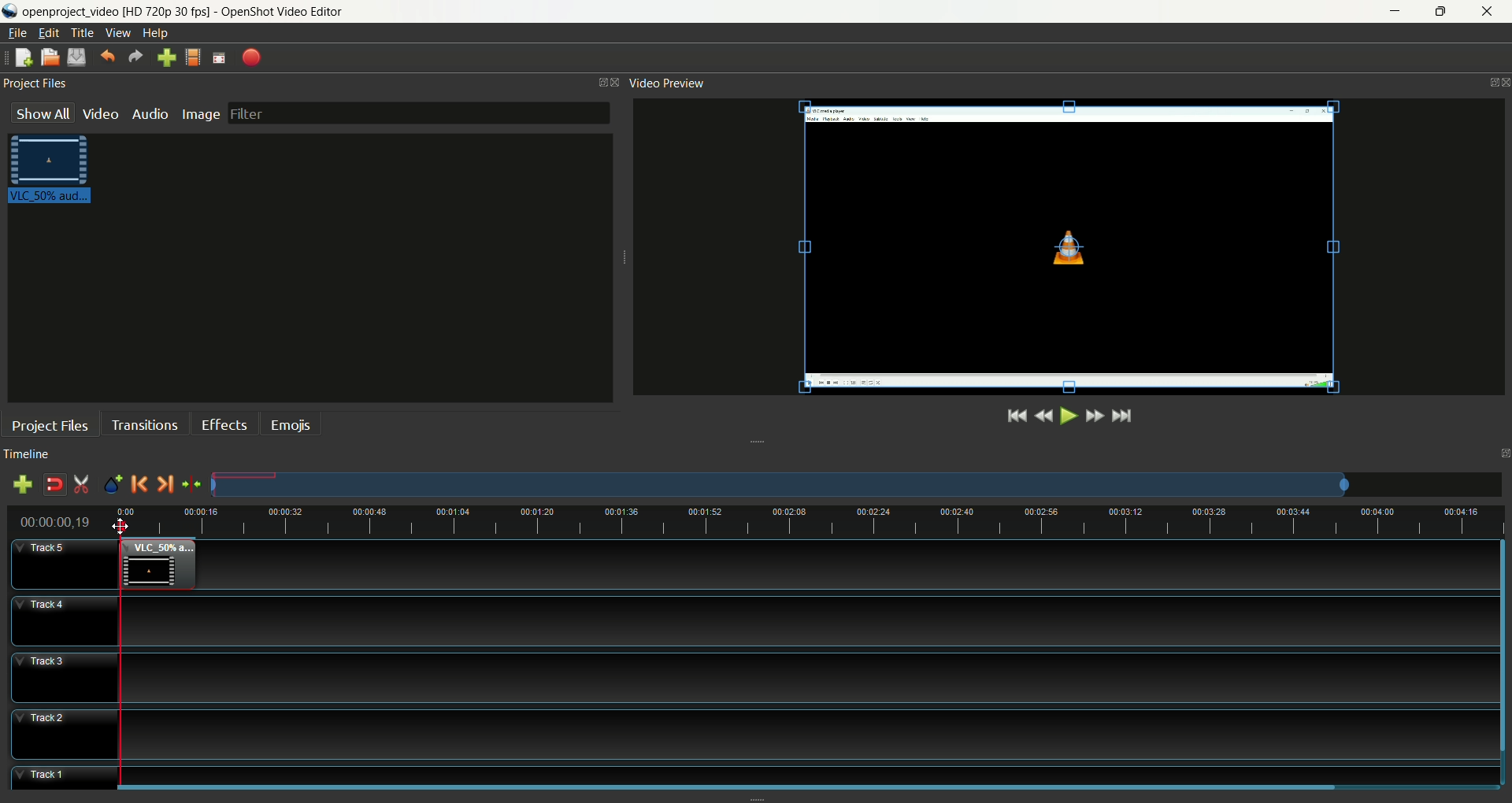 The height and width of the screenshot is (803, 1512). Describe the element at coordinates (192, 487) in the screenshot. I see `center the timeline on the playhead` at that location.